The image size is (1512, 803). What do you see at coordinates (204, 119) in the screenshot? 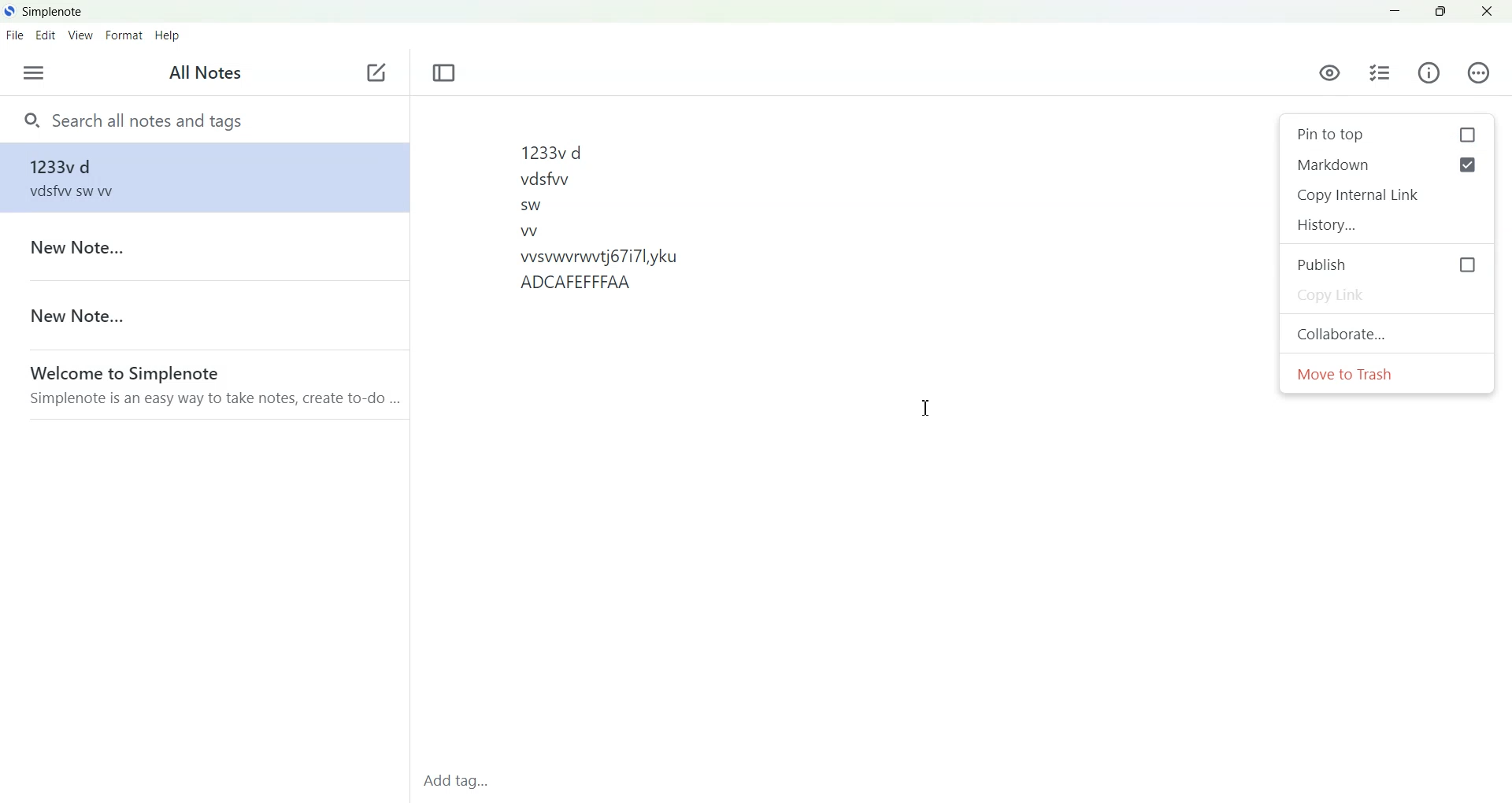
I see `Search notes and tags` at bounding box center [204, 119].